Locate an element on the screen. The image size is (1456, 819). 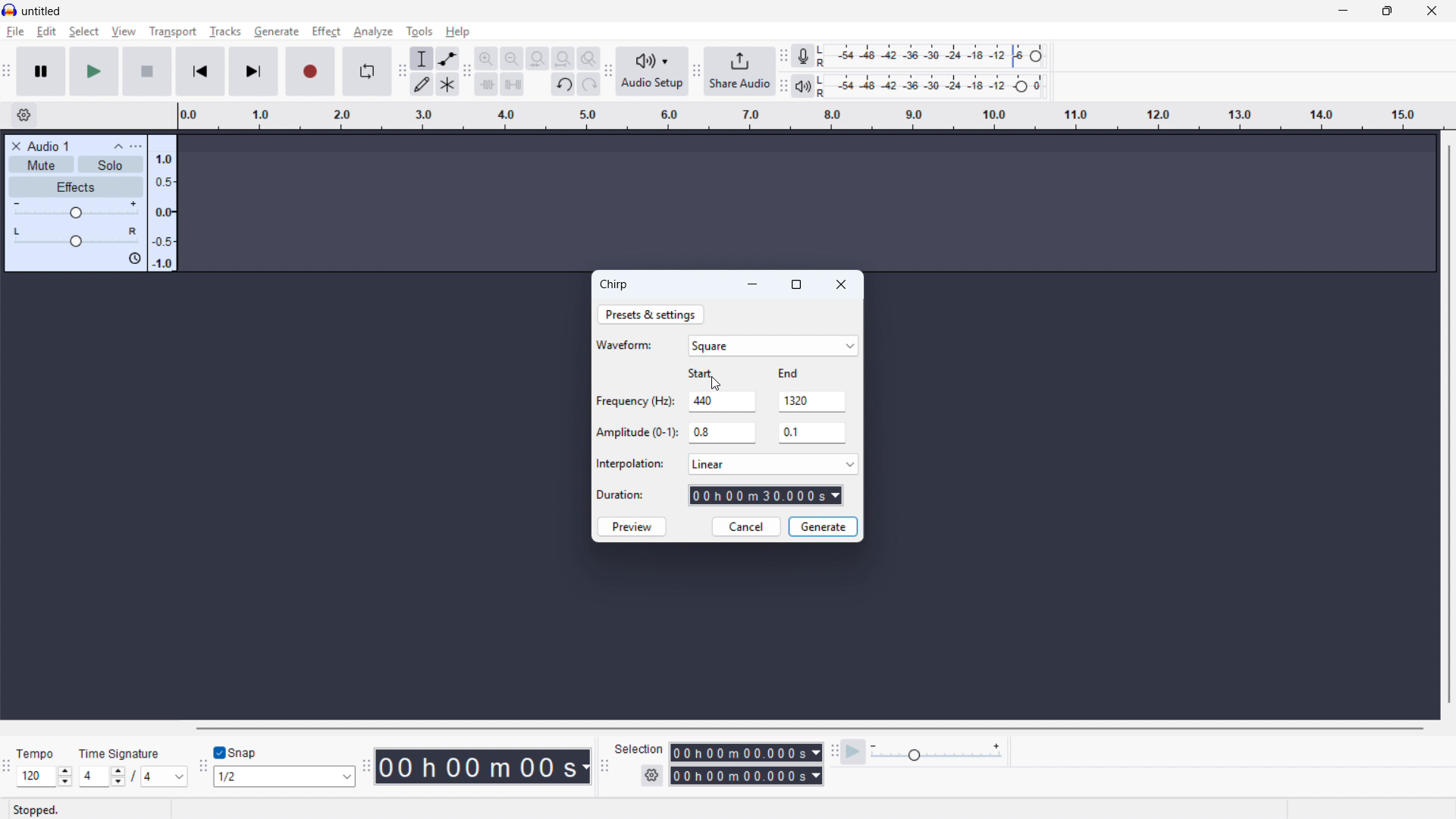
Playback level is located at coordinates (934, 86).